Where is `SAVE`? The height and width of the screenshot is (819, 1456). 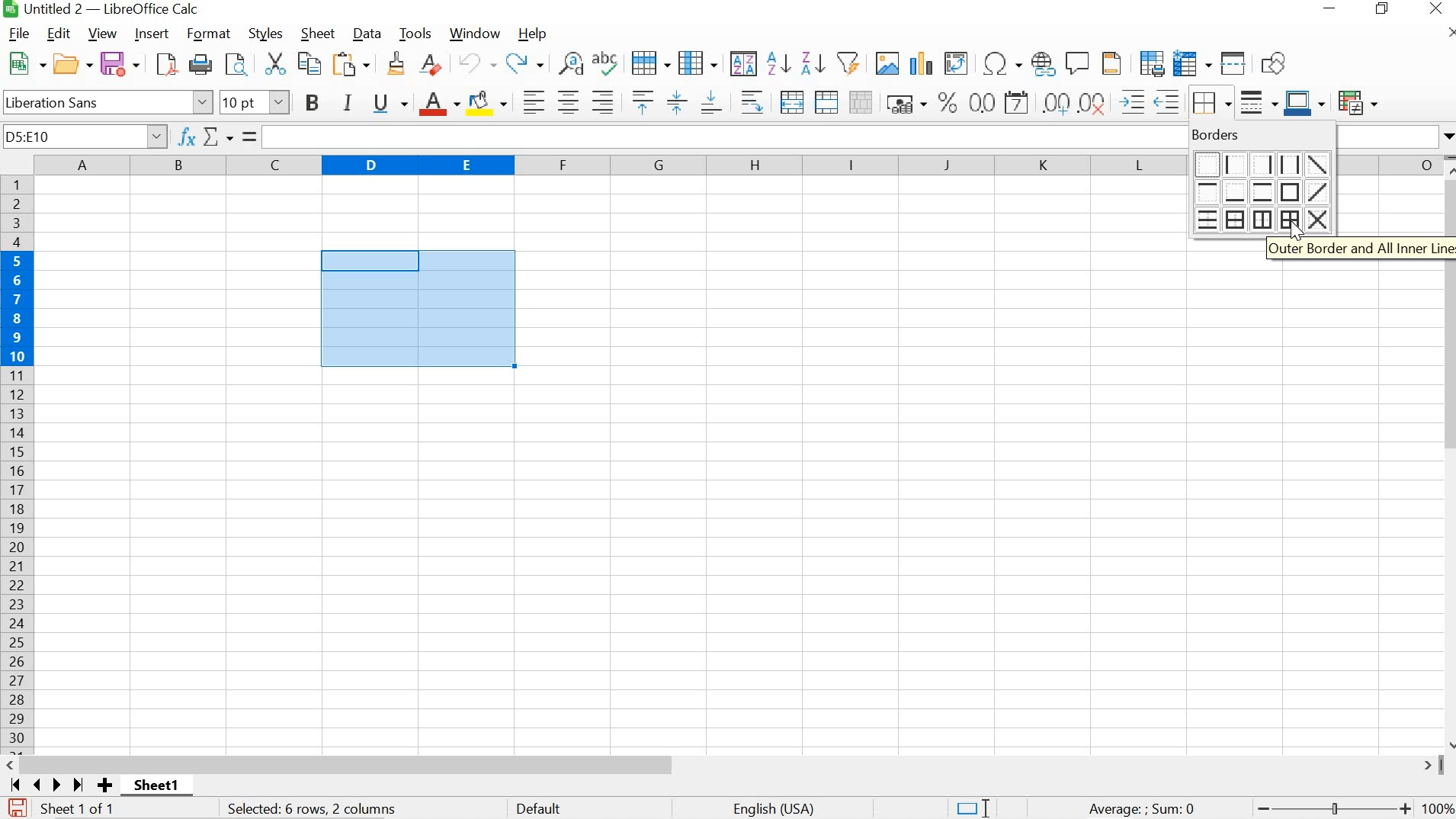
SAVE is located at coordinates (15, 808).